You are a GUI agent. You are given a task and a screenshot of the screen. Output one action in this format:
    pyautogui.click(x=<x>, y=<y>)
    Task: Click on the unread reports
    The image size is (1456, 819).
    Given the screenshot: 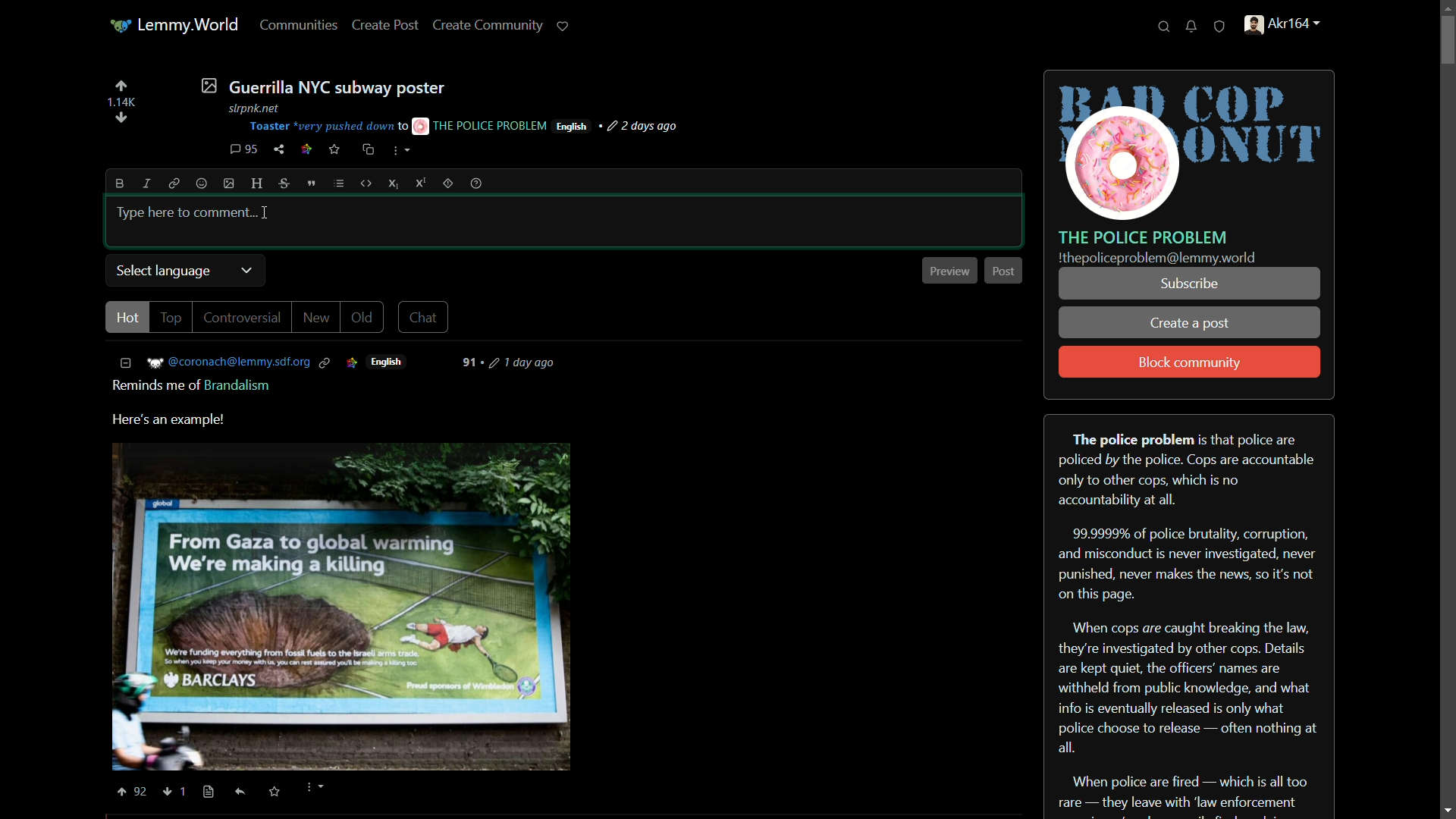 What is the action you would take?
    pyautogui.click(x=1220, y=27)
    